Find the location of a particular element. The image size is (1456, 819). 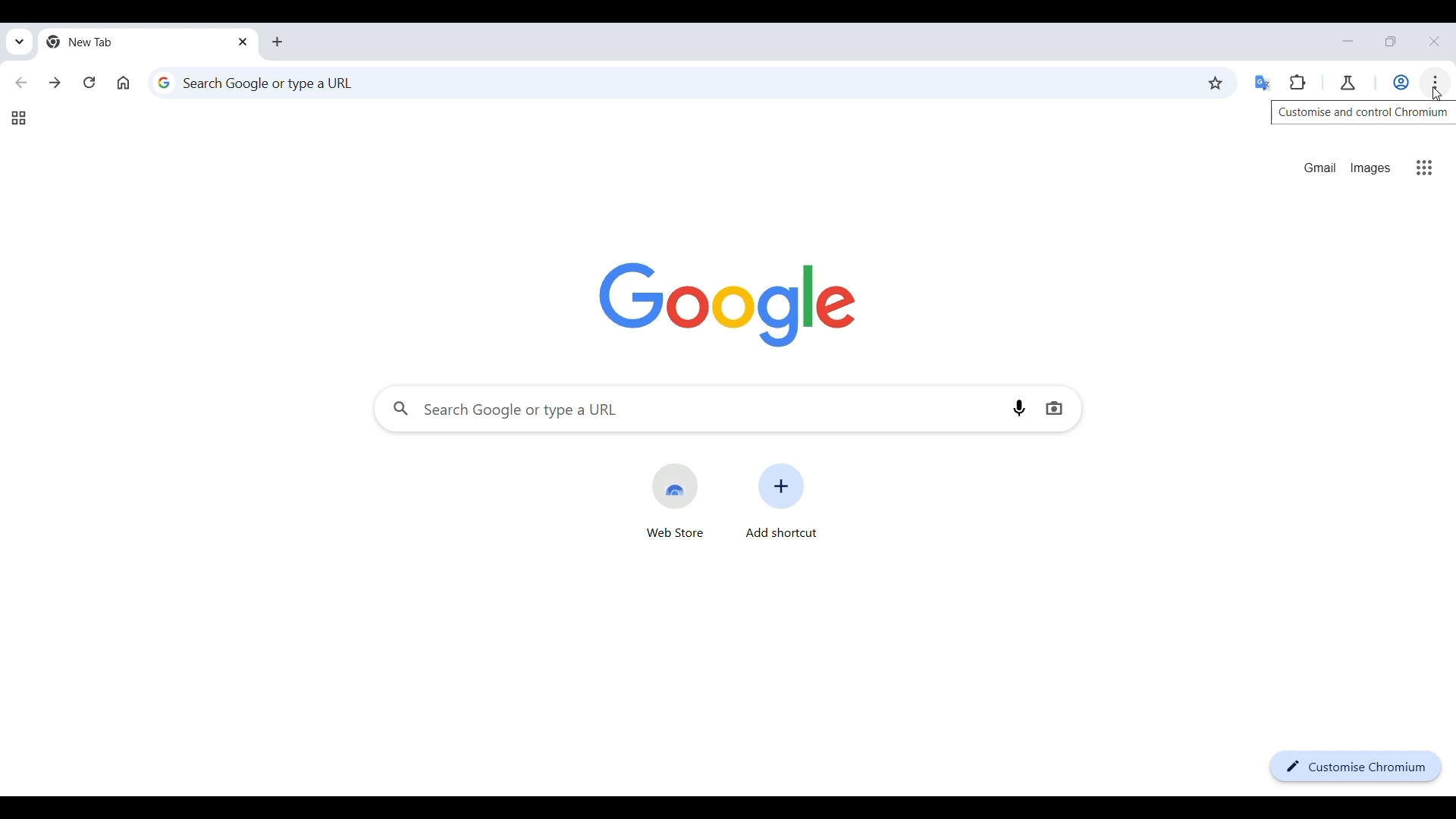

Customize and control Chromium is located at coordinates (1436, 83).